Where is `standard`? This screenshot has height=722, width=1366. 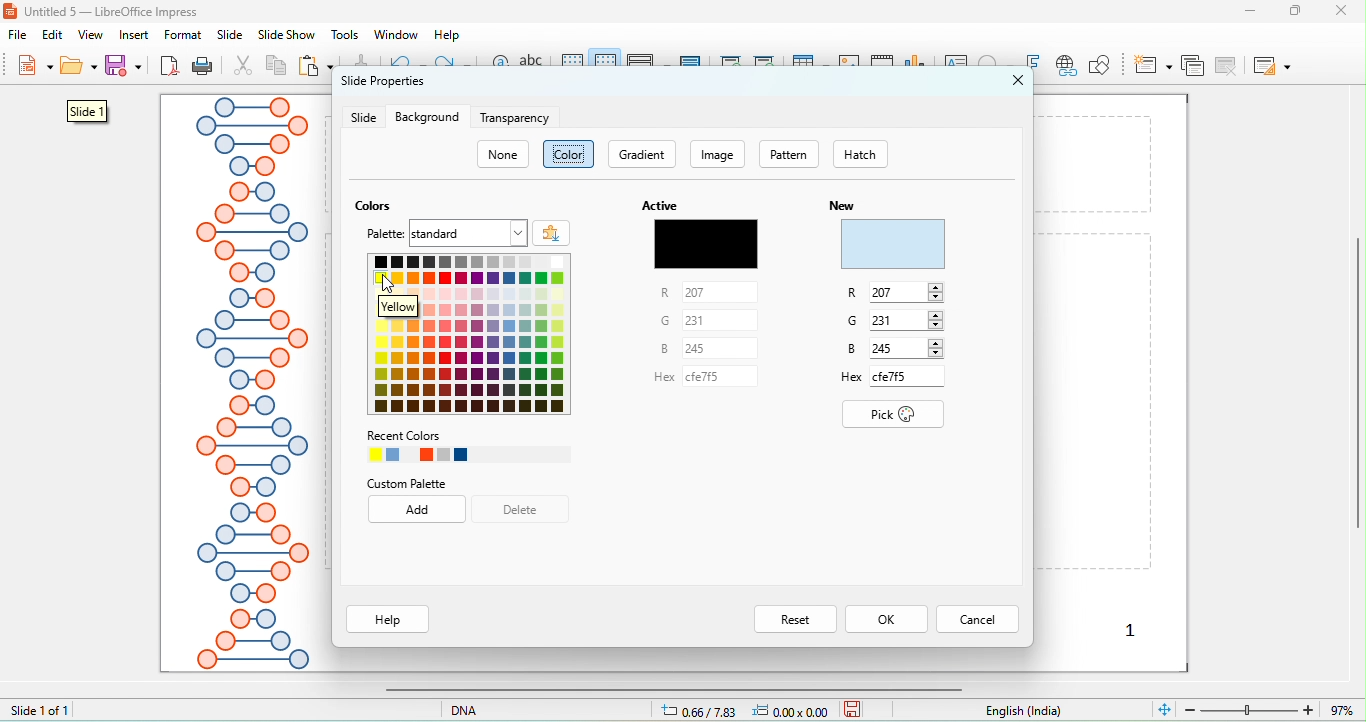 standard is located at coordinates (468, 233).